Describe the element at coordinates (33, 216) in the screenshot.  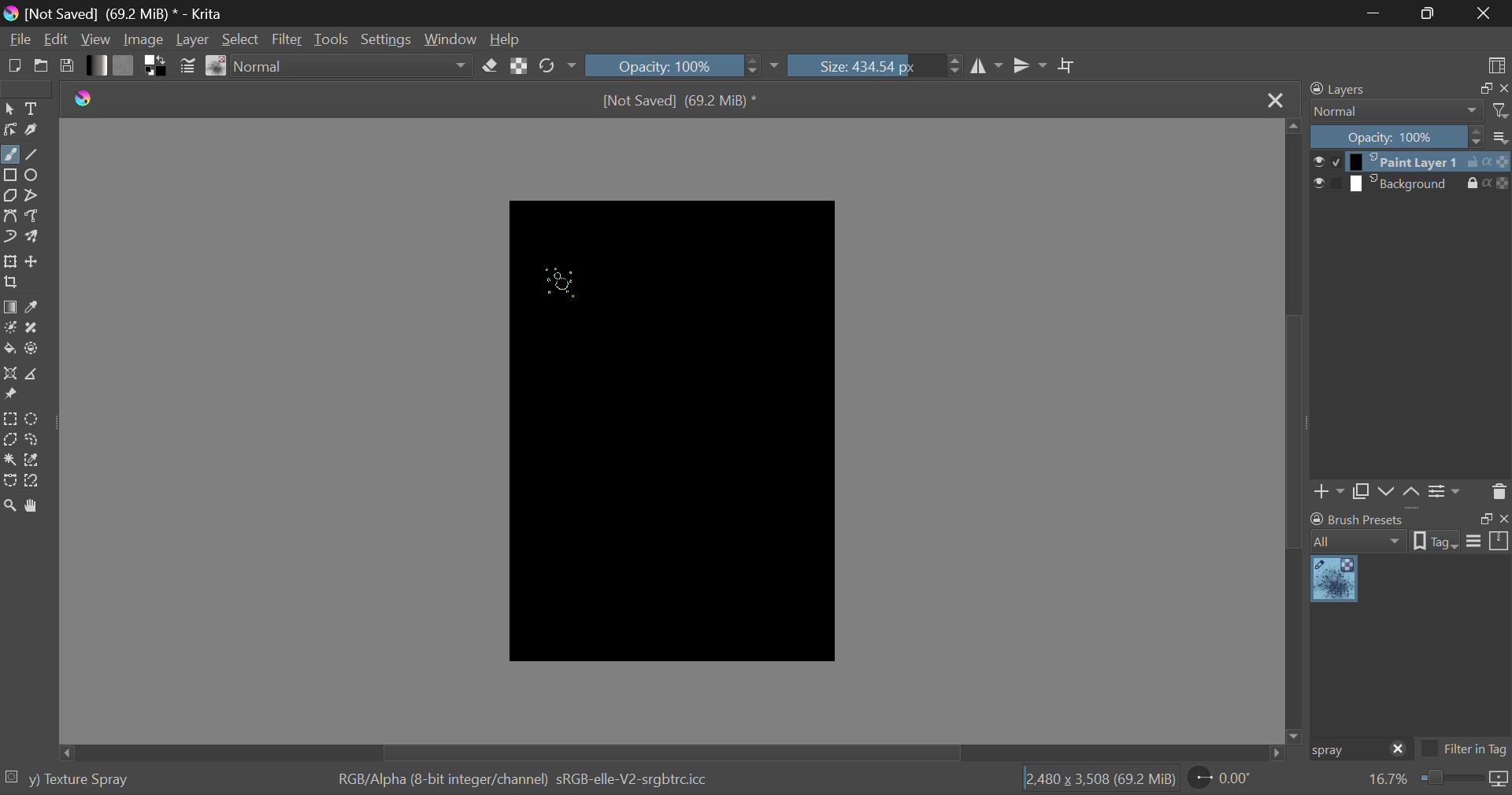
I see `Freehand Path Tool` at that location.